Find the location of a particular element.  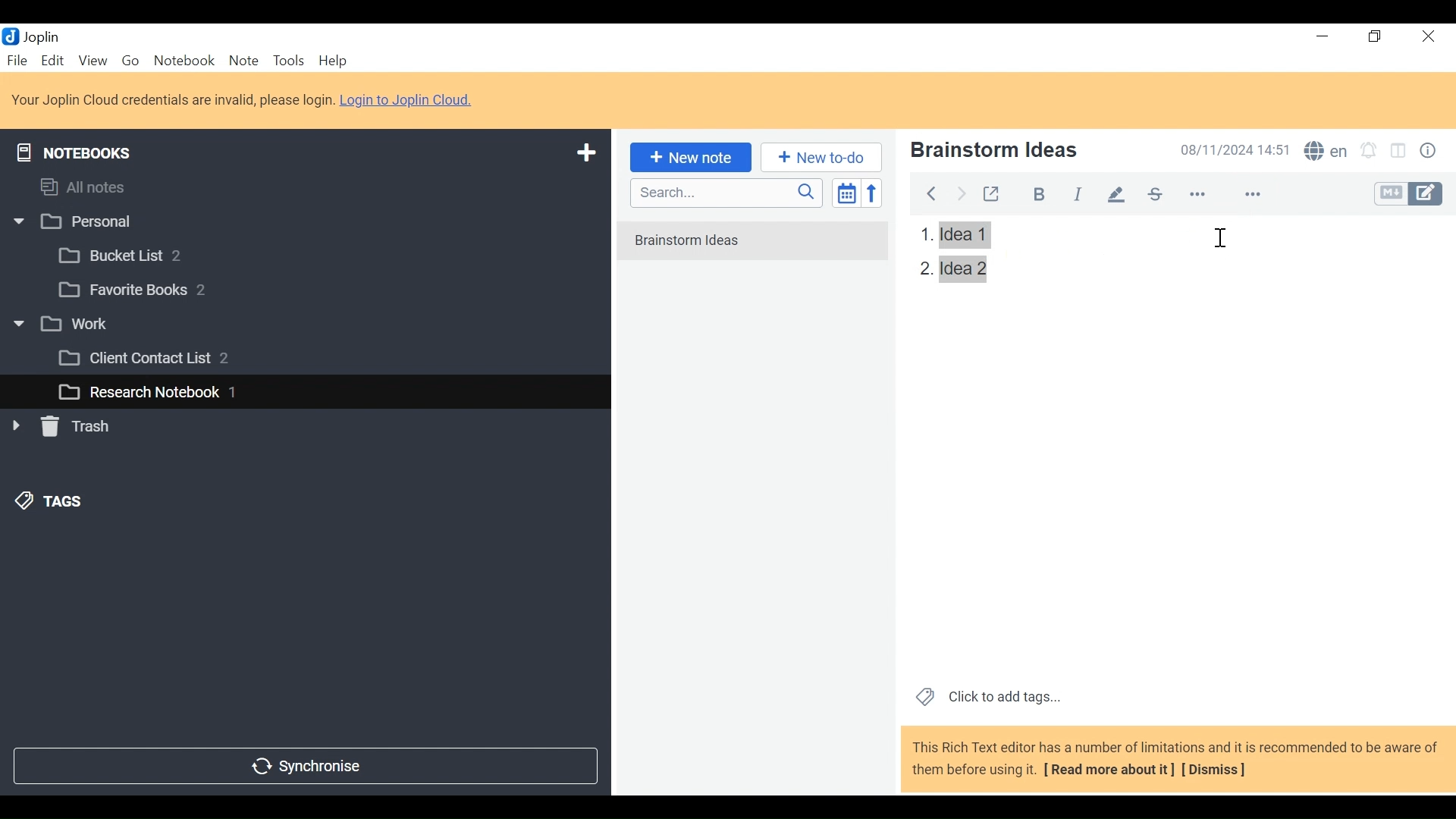

v [3 work is located at coordinates (78, 325).